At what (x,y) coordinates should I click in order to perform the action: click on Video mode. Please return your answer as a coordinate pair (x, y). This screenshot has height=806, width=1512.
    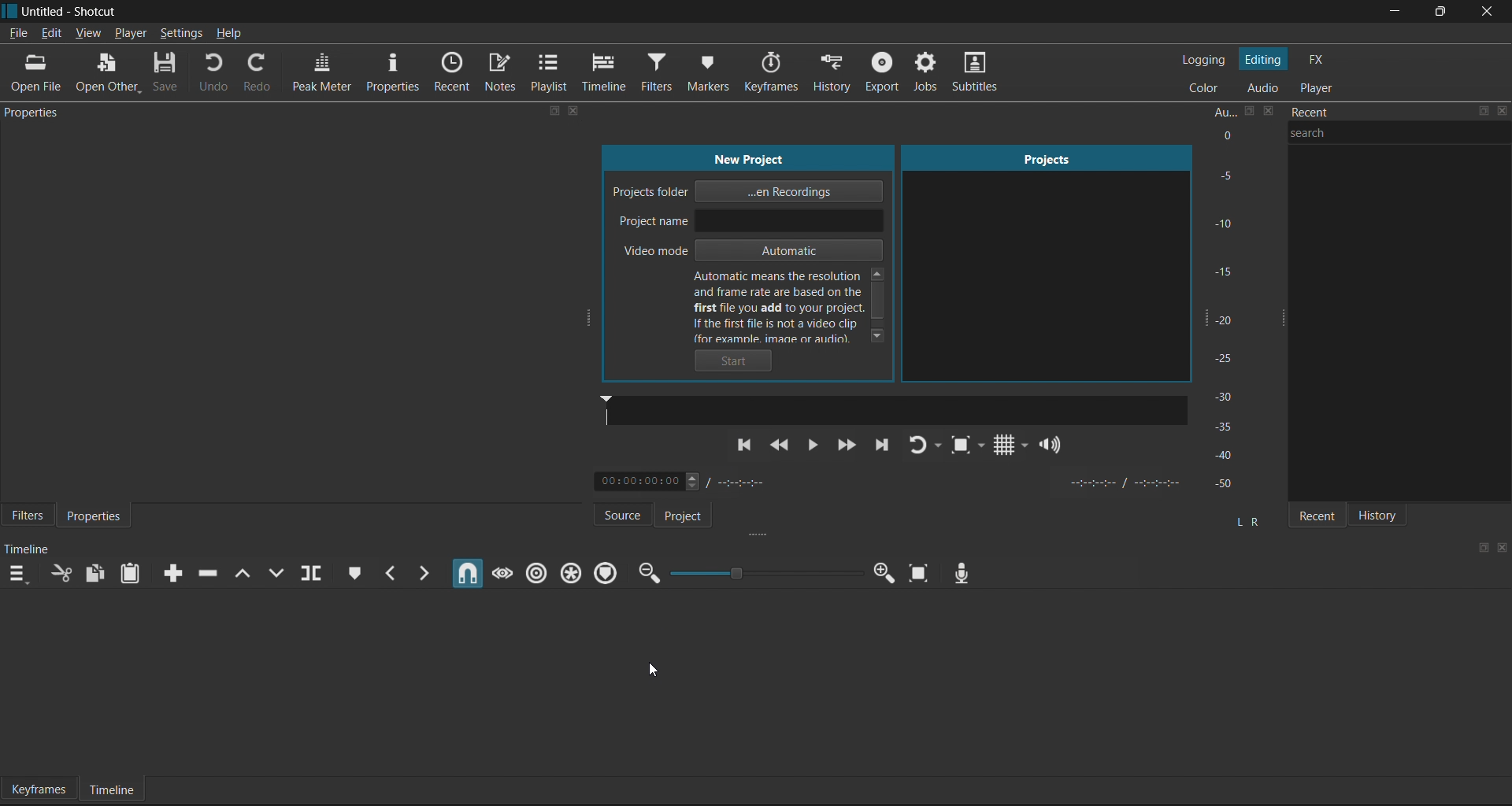
    Looking at the image, I should click on (748, 252).